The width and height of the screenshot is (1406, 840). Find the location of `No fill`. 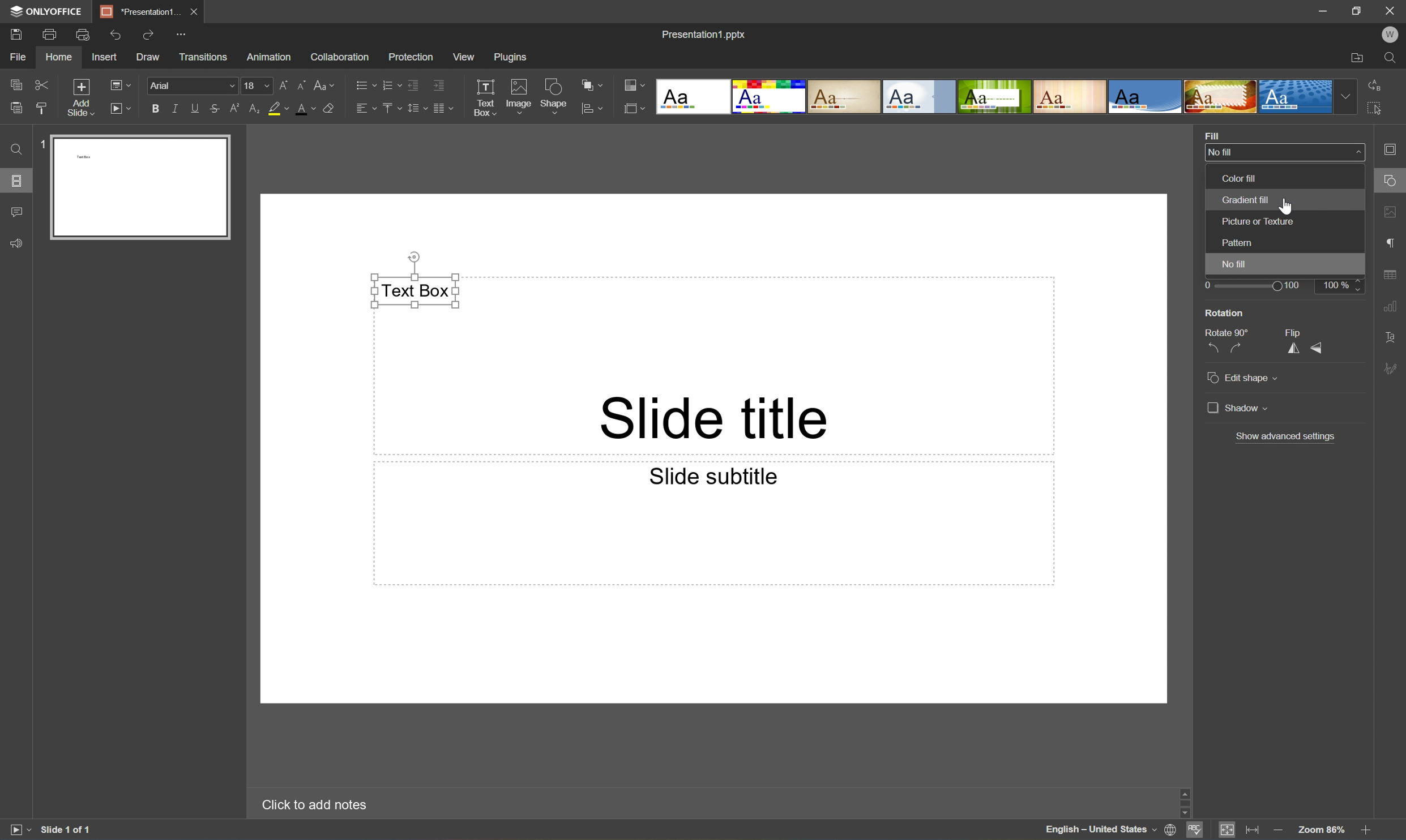

No fill is located at coordinates (1285, 152).